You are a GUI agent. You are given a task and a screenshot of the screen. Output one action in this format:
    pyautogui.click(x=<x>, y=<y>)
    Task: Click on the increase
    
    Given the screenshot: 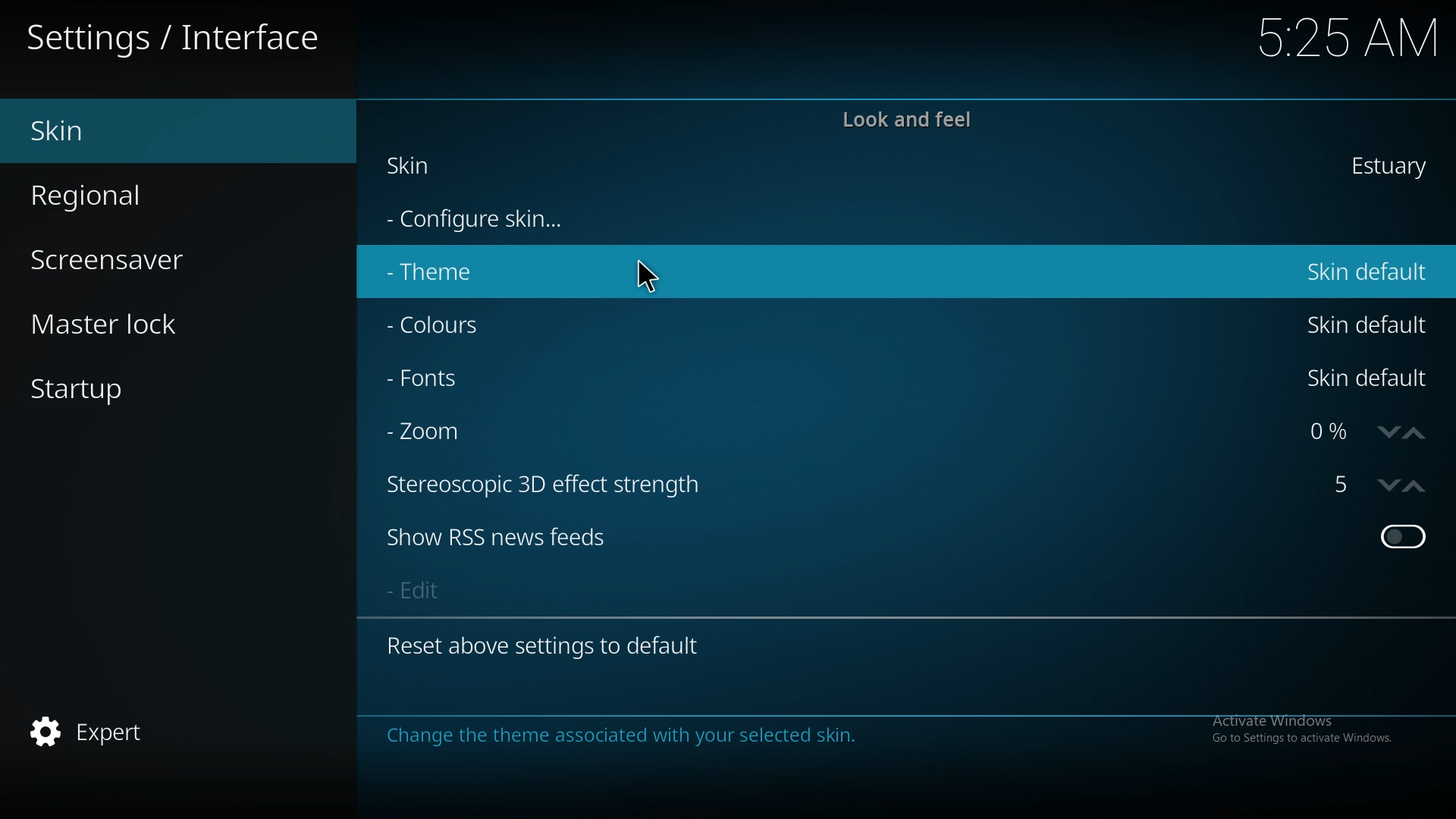 What is the action you would take?
    pyautogui.click(x=1416, y=488)
    